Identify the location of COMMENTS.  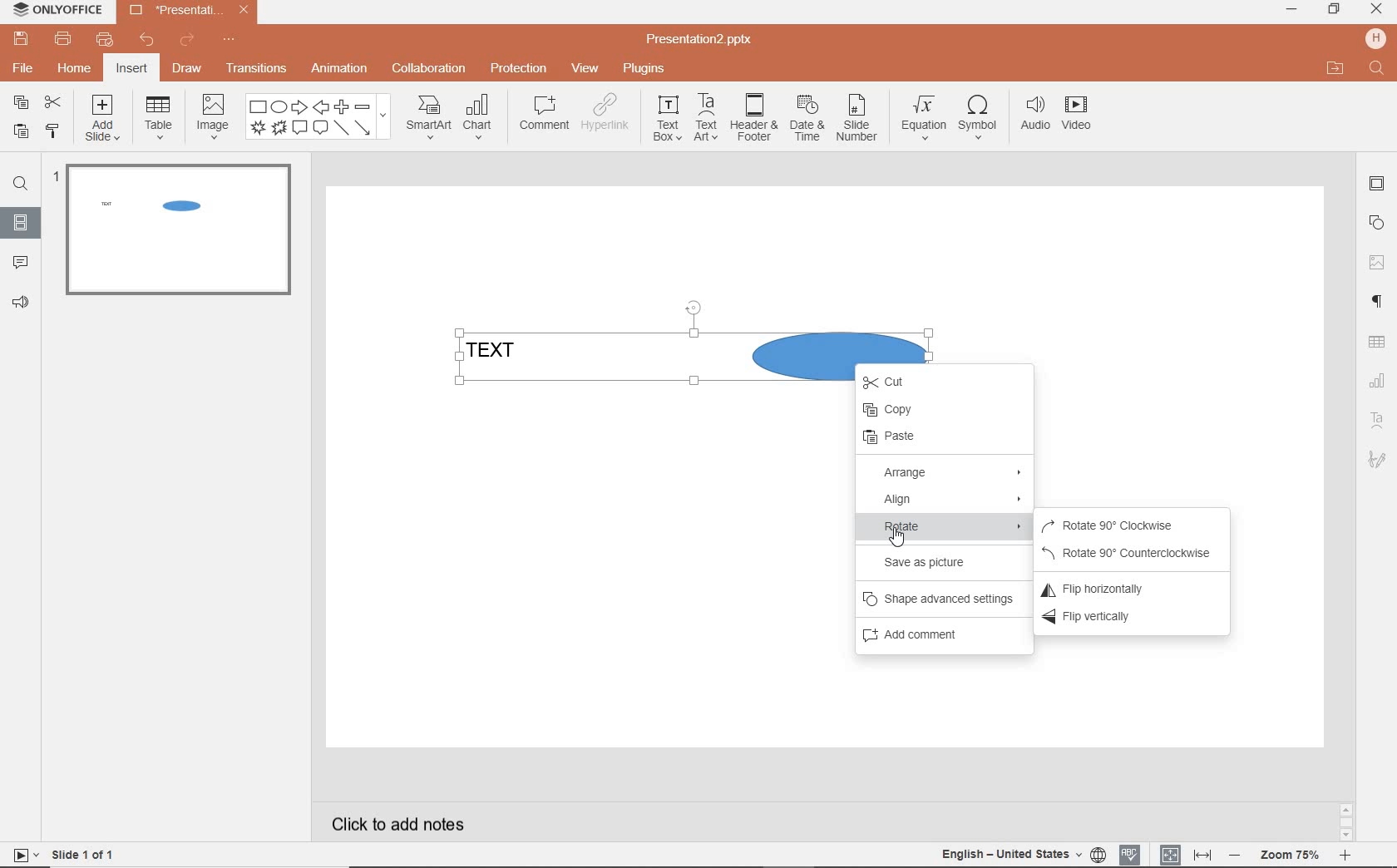
(19, 259).